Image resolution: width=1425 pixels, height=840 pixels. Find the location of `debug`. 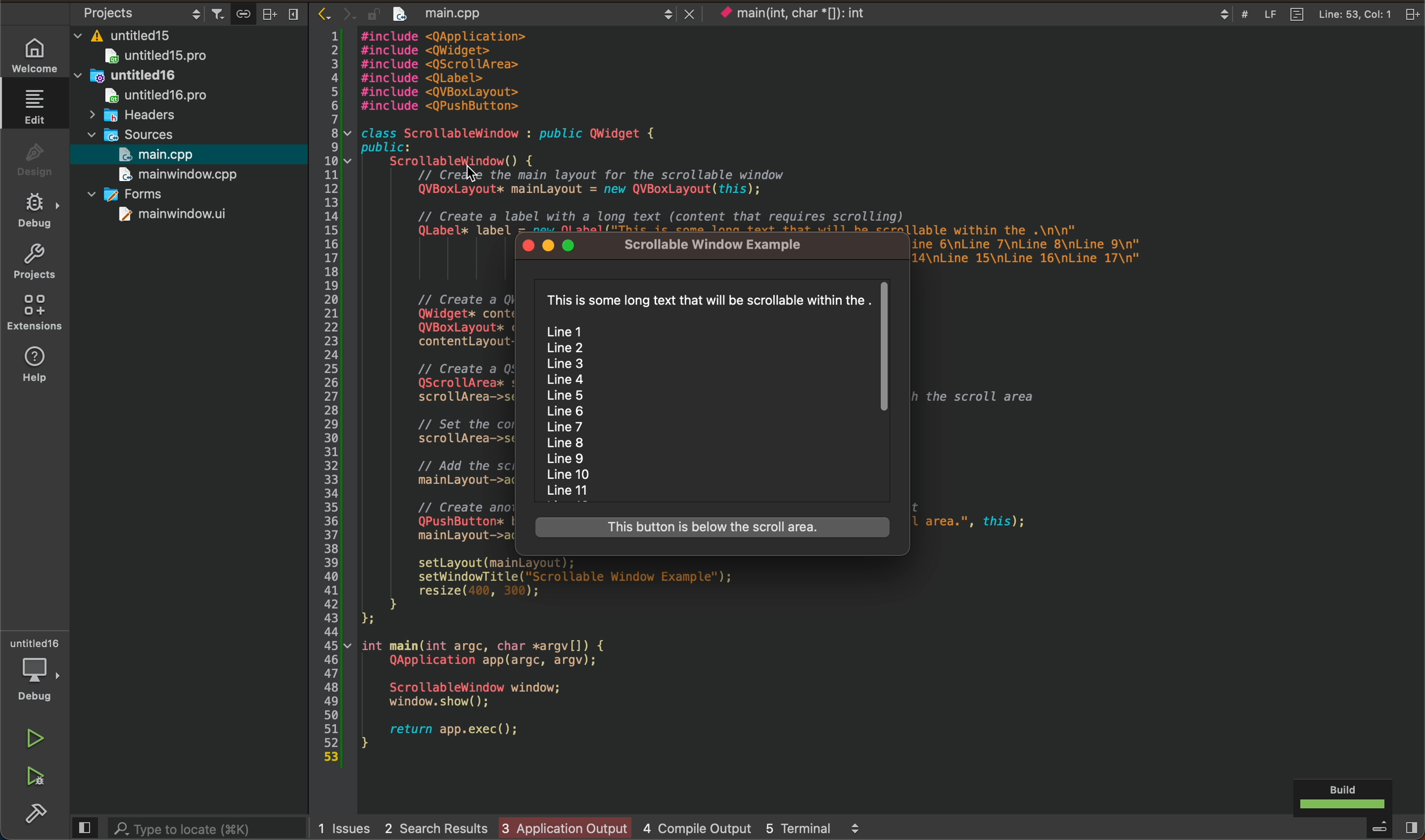

debug is located at coordinates (35, 212).